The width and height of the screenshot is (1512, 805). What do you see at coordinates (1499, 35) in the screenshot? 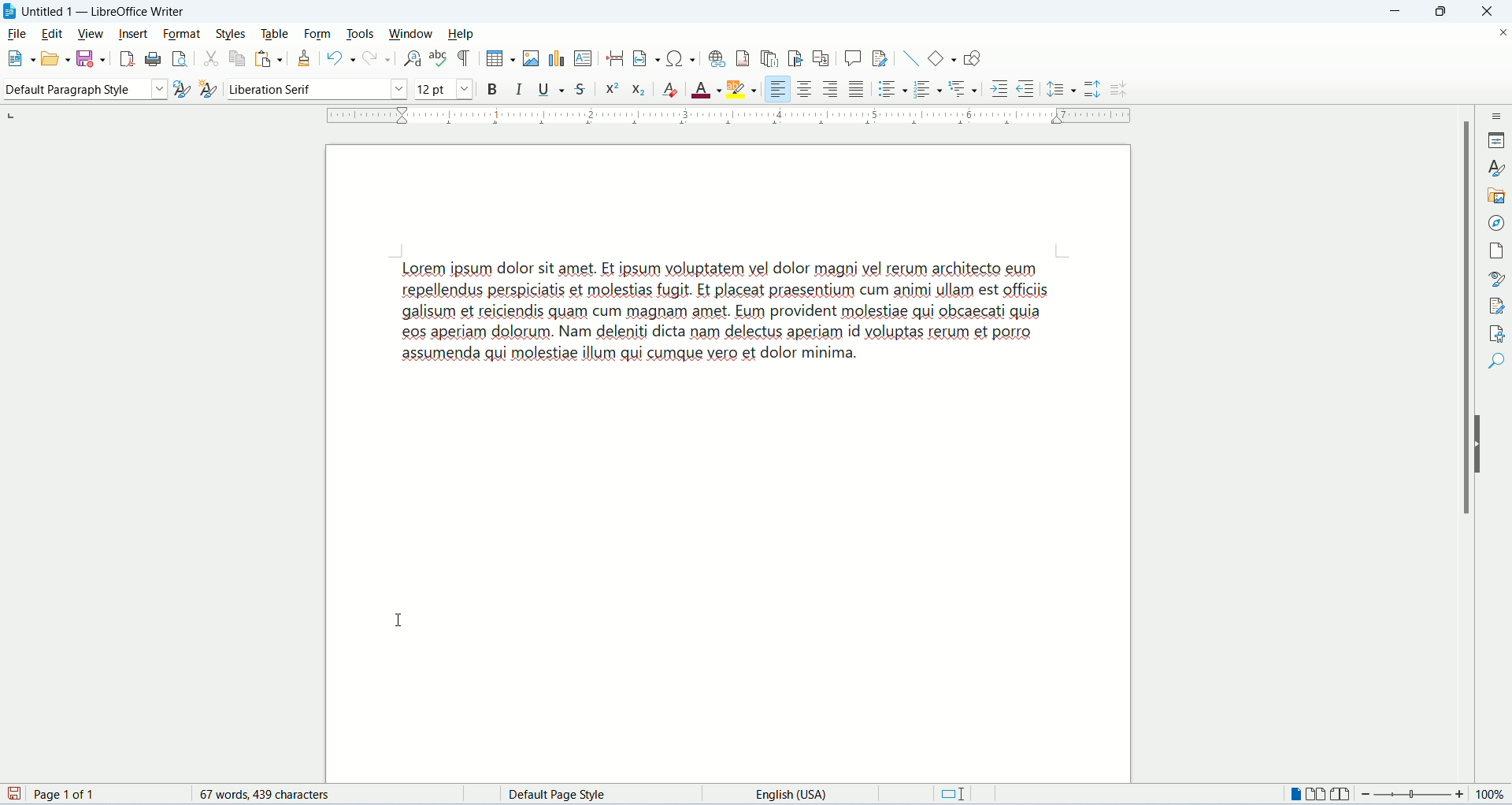
I see `close` at bounding box center [1499, 35].